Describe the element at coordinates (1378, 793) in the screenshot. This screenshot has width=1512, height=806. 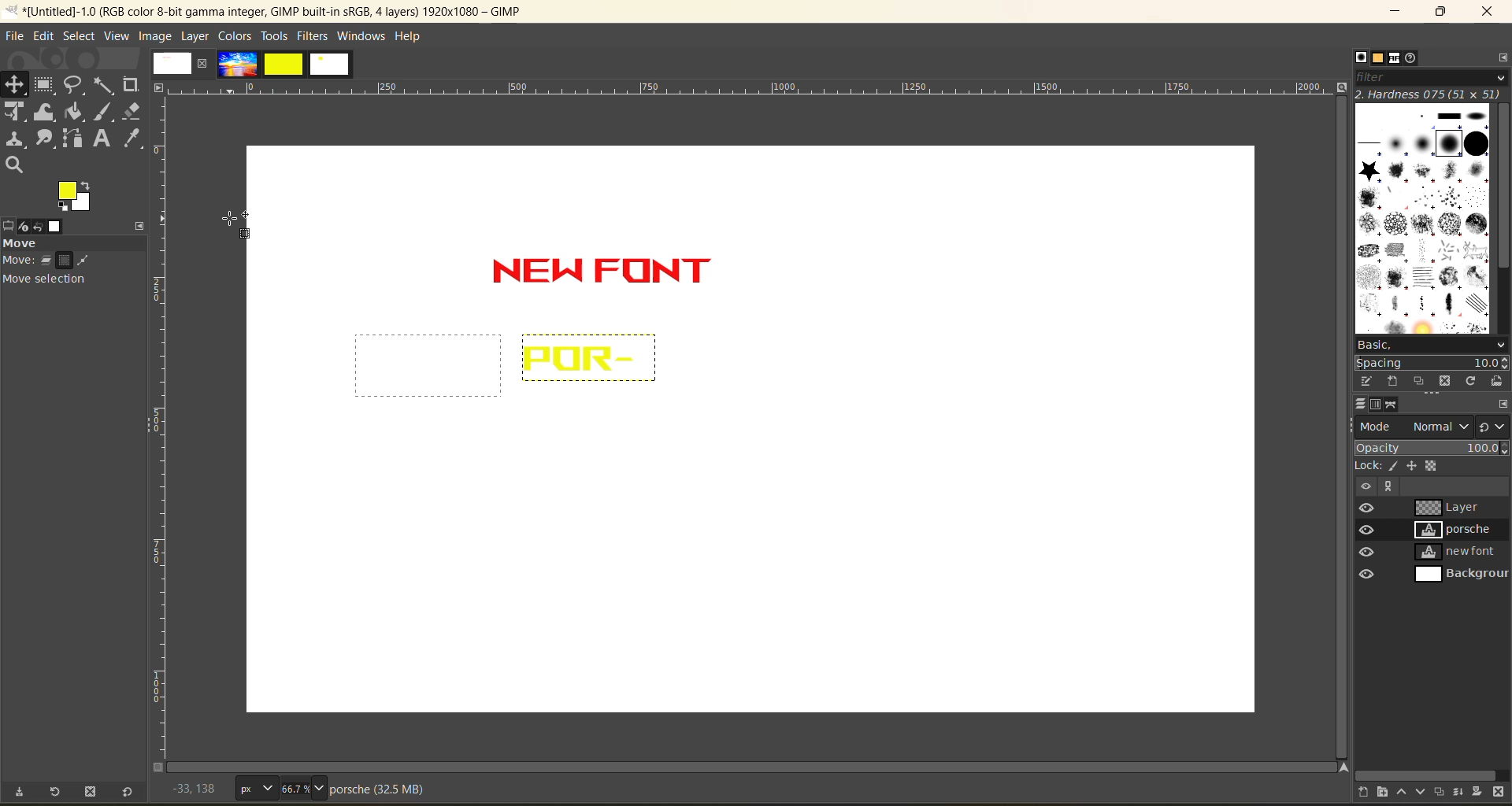
I see `create a new layer group` at that location.